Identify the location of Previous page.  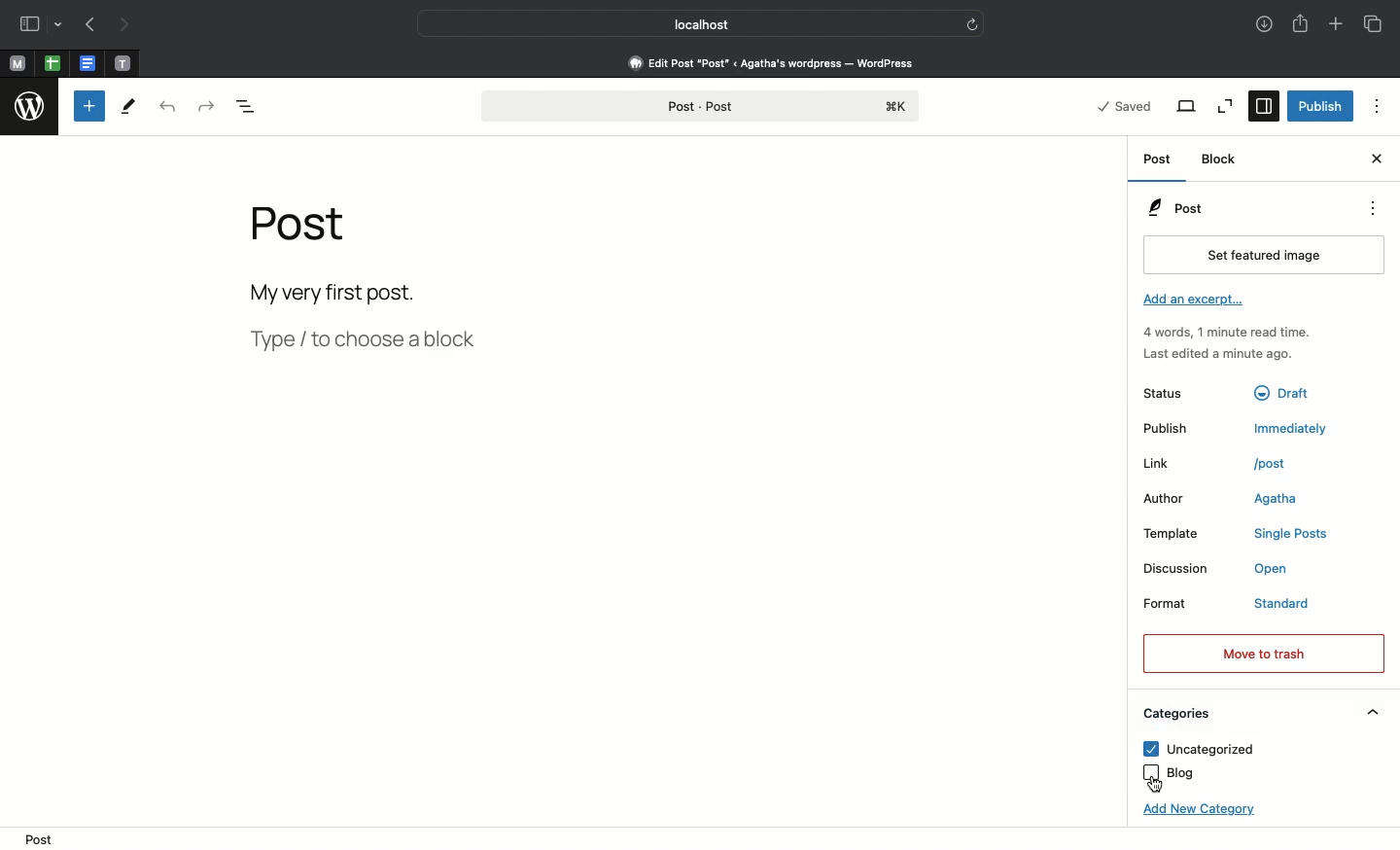
(90, 26).